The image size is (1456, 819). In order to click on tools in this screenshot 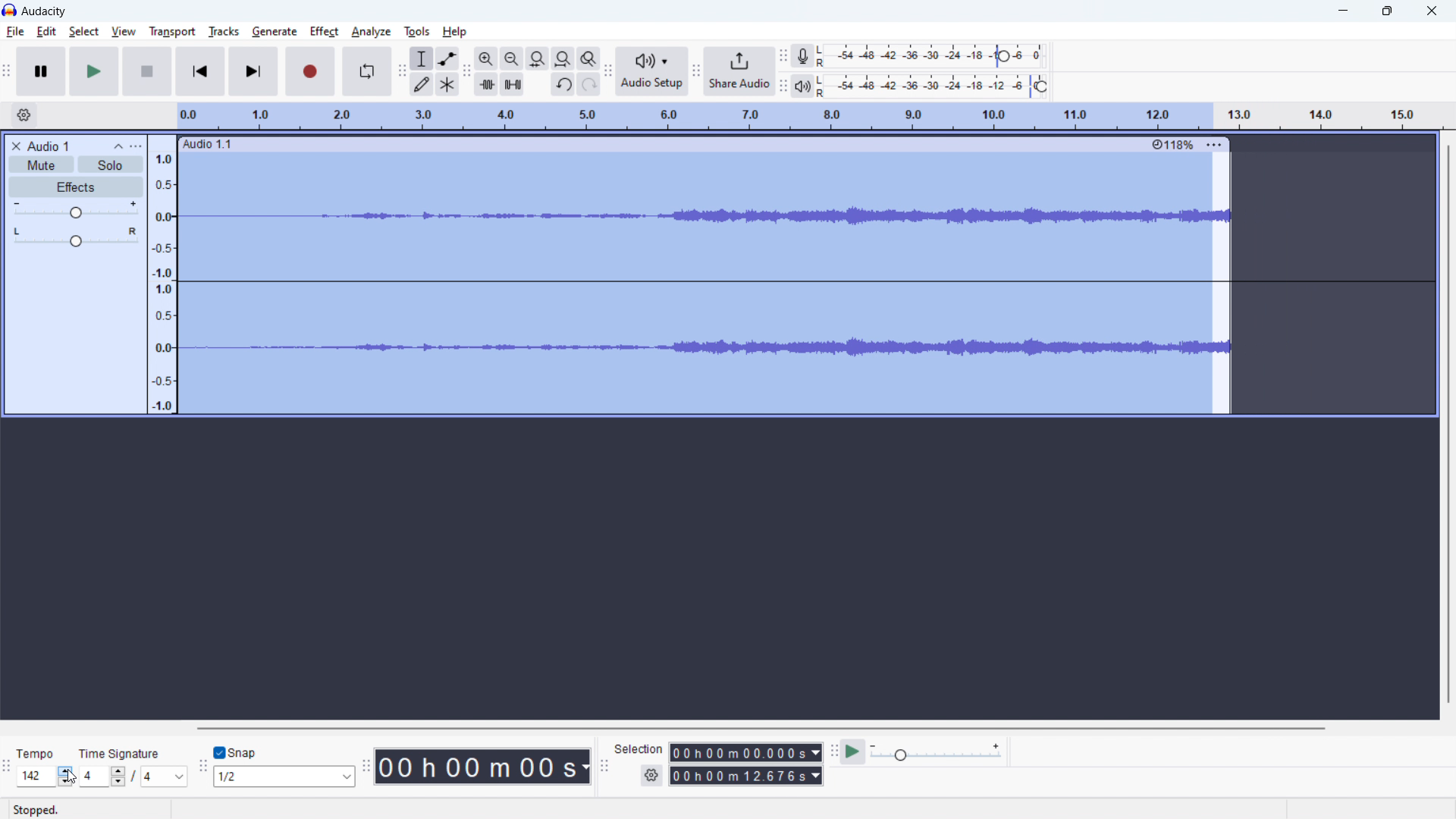, I will do `click(416, 32)`.